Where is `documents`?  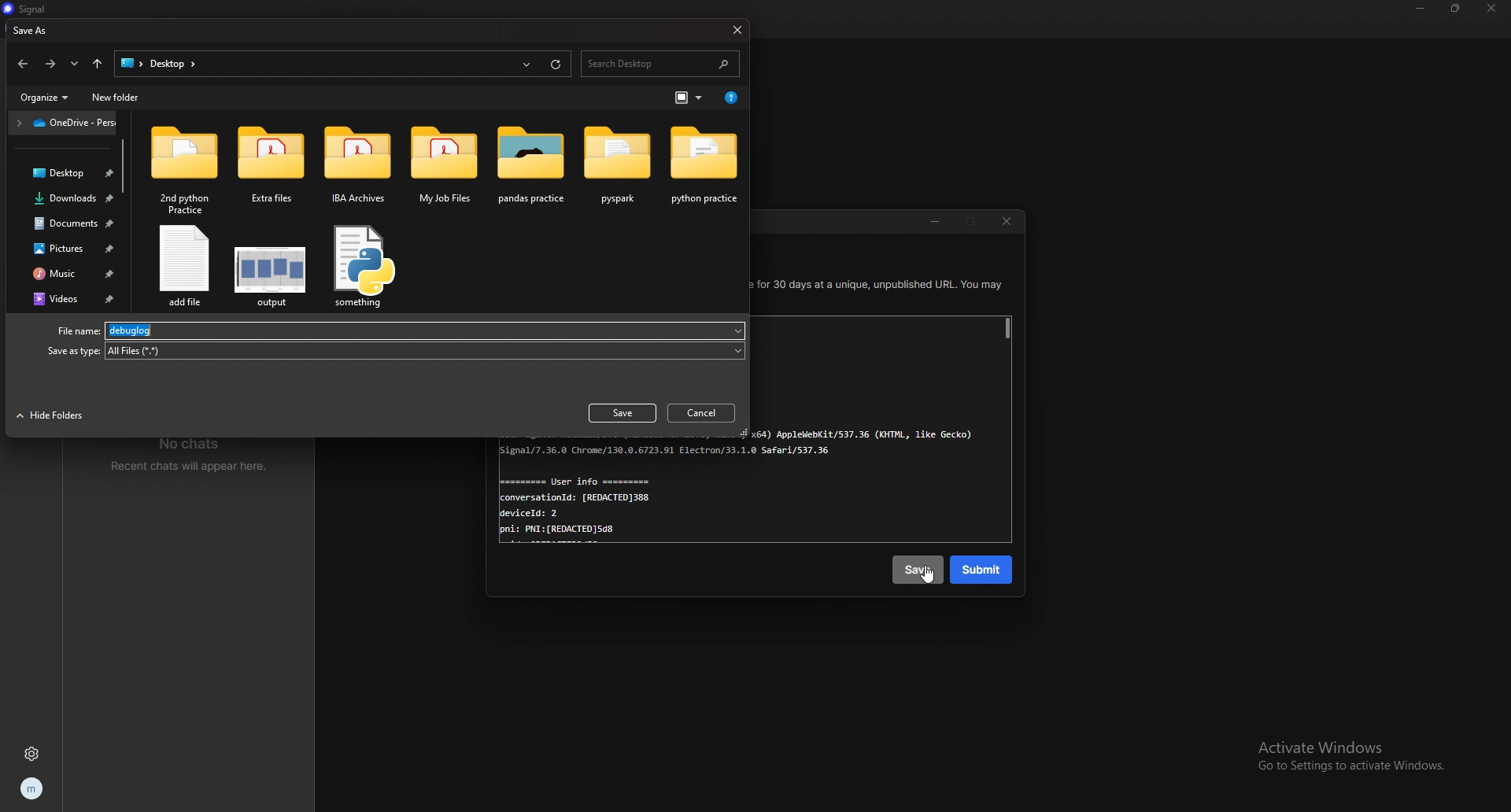 documents is located at coordinates (71, 223).